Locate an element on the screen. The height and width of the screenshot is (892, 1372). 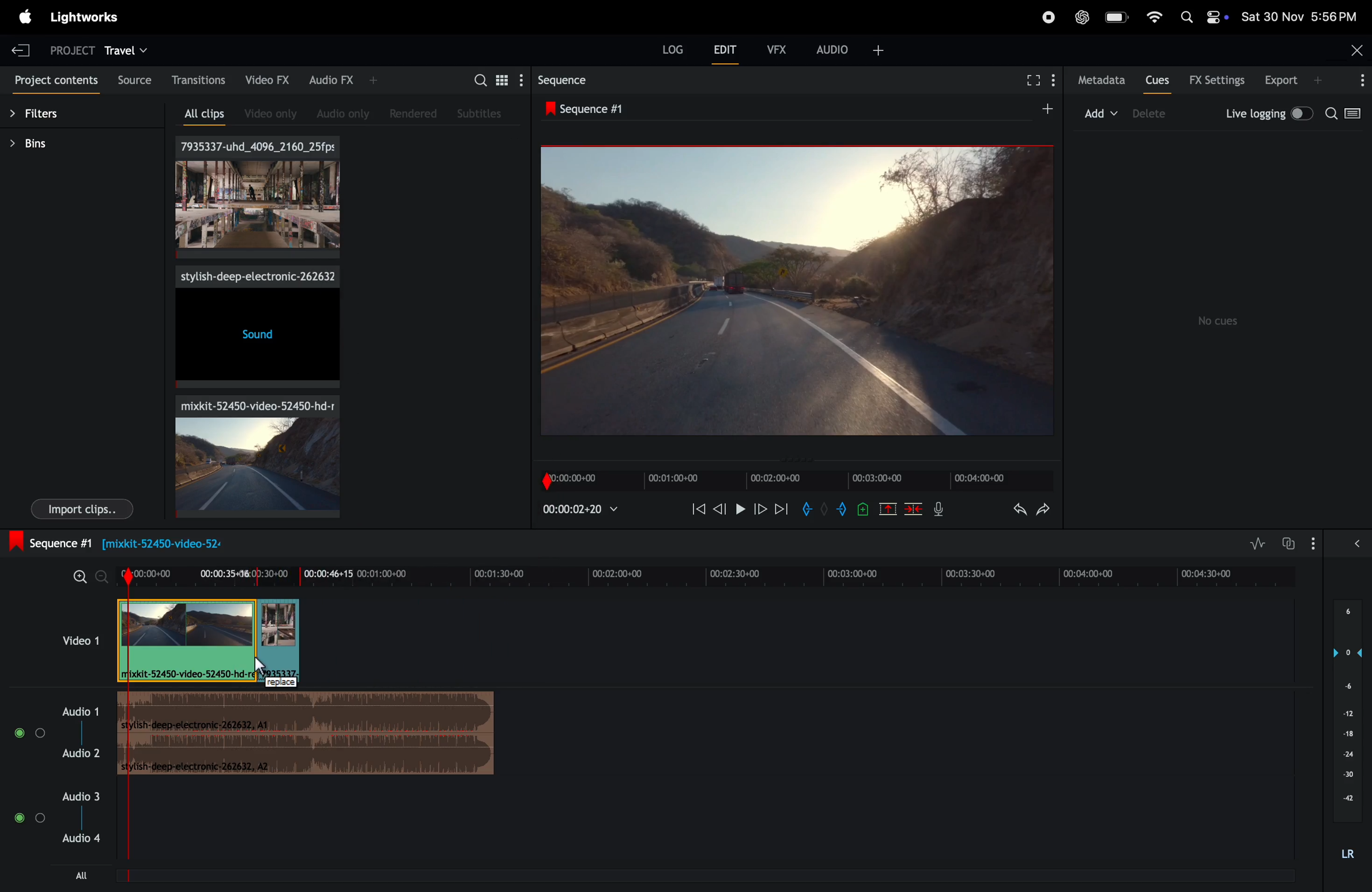
audio pitch is located at coordinates (1351, 731).